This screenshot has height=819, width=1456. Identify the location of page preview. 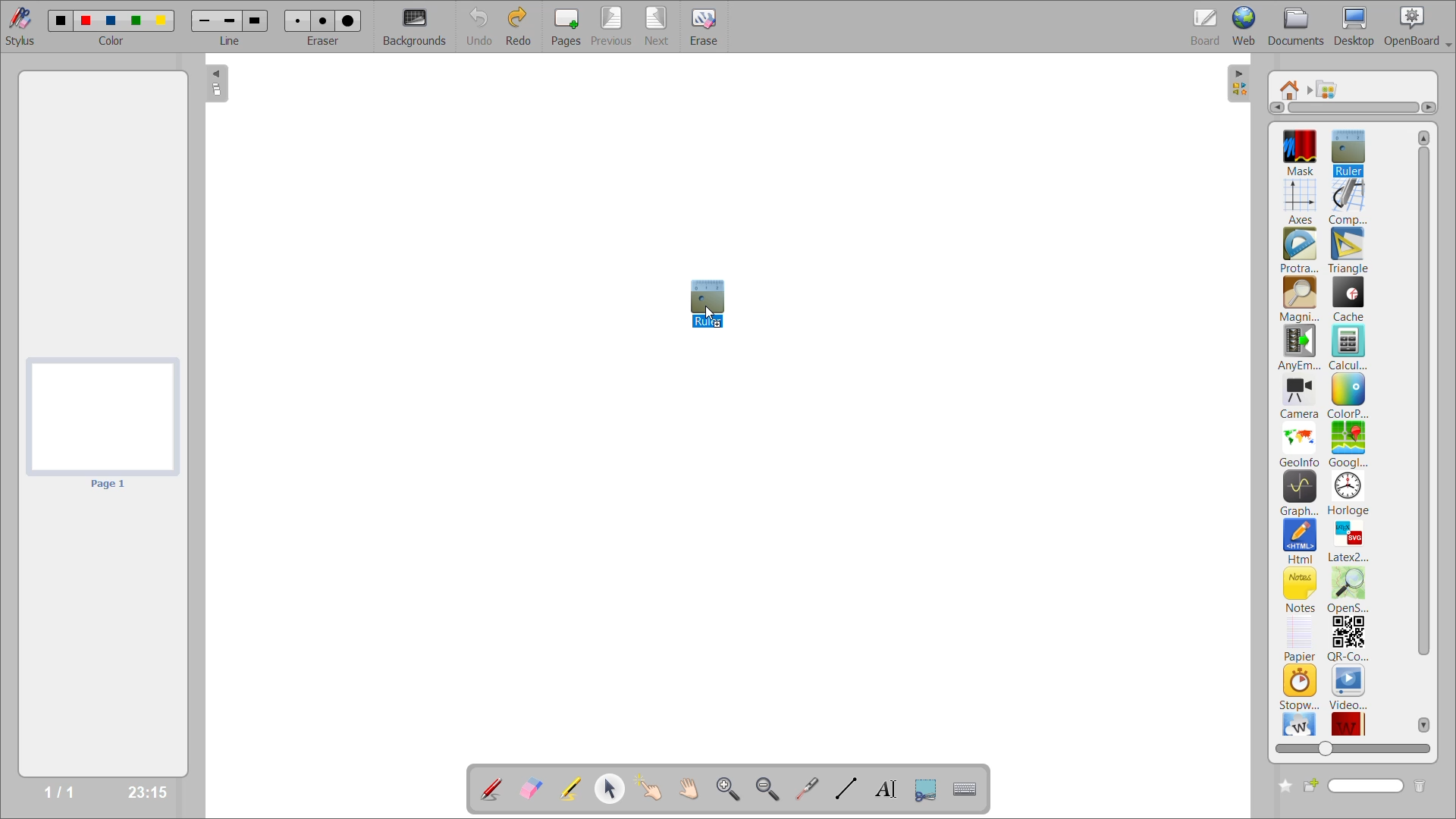
(100, 425).